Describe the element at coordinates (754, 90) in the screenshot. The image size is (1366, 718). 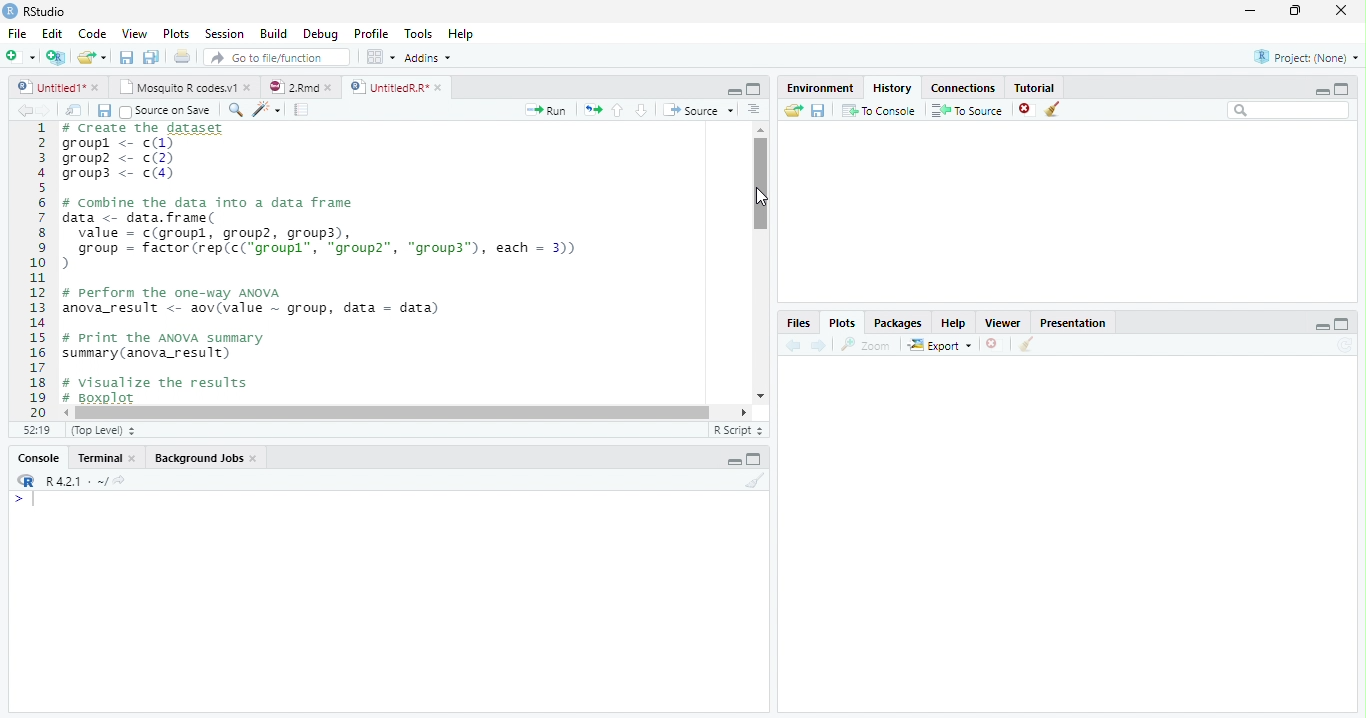
I see `Maximize` at that location.